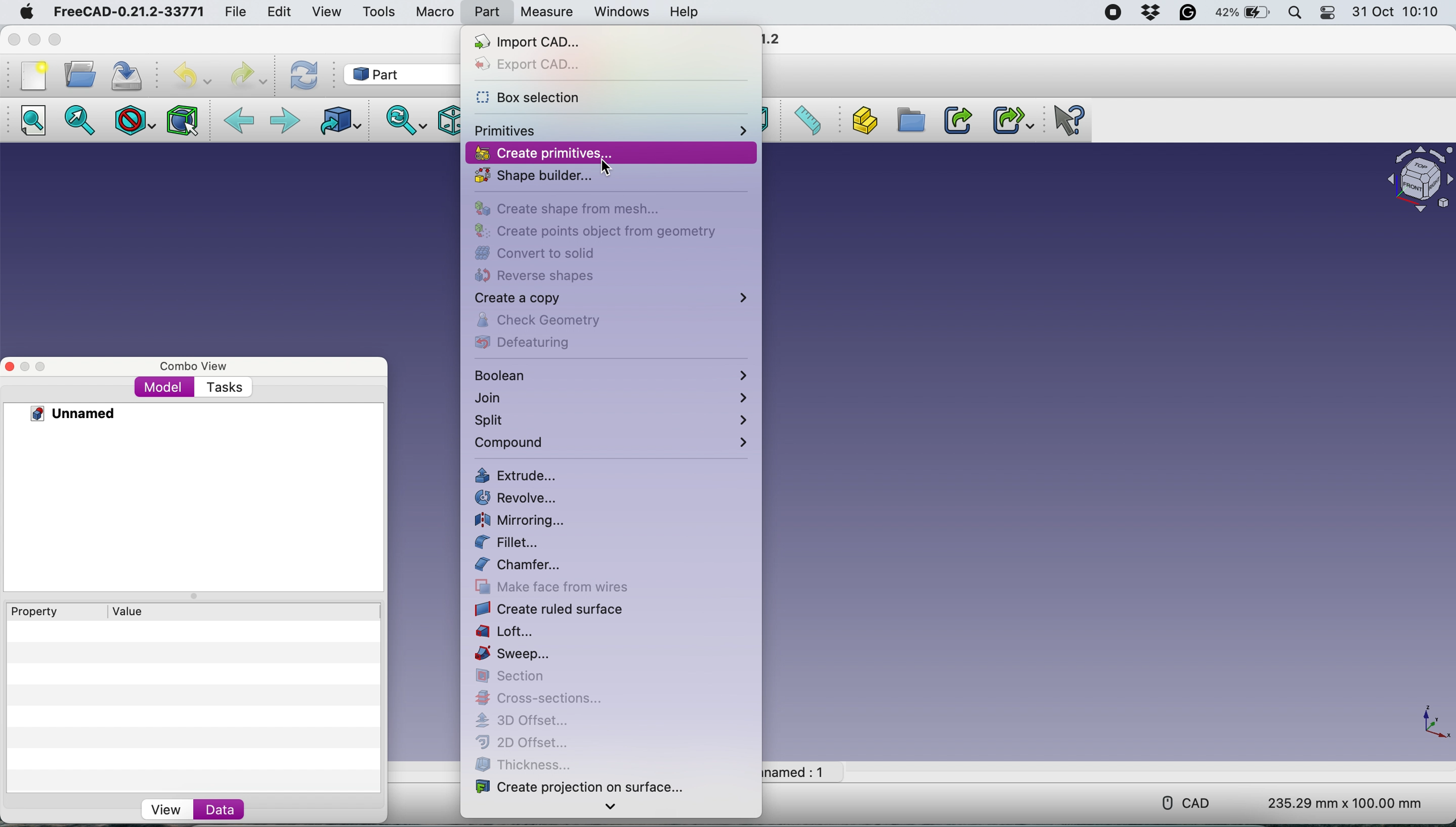 The image size is (1456, 827). I want to click on create primitives, so click(543, 152).